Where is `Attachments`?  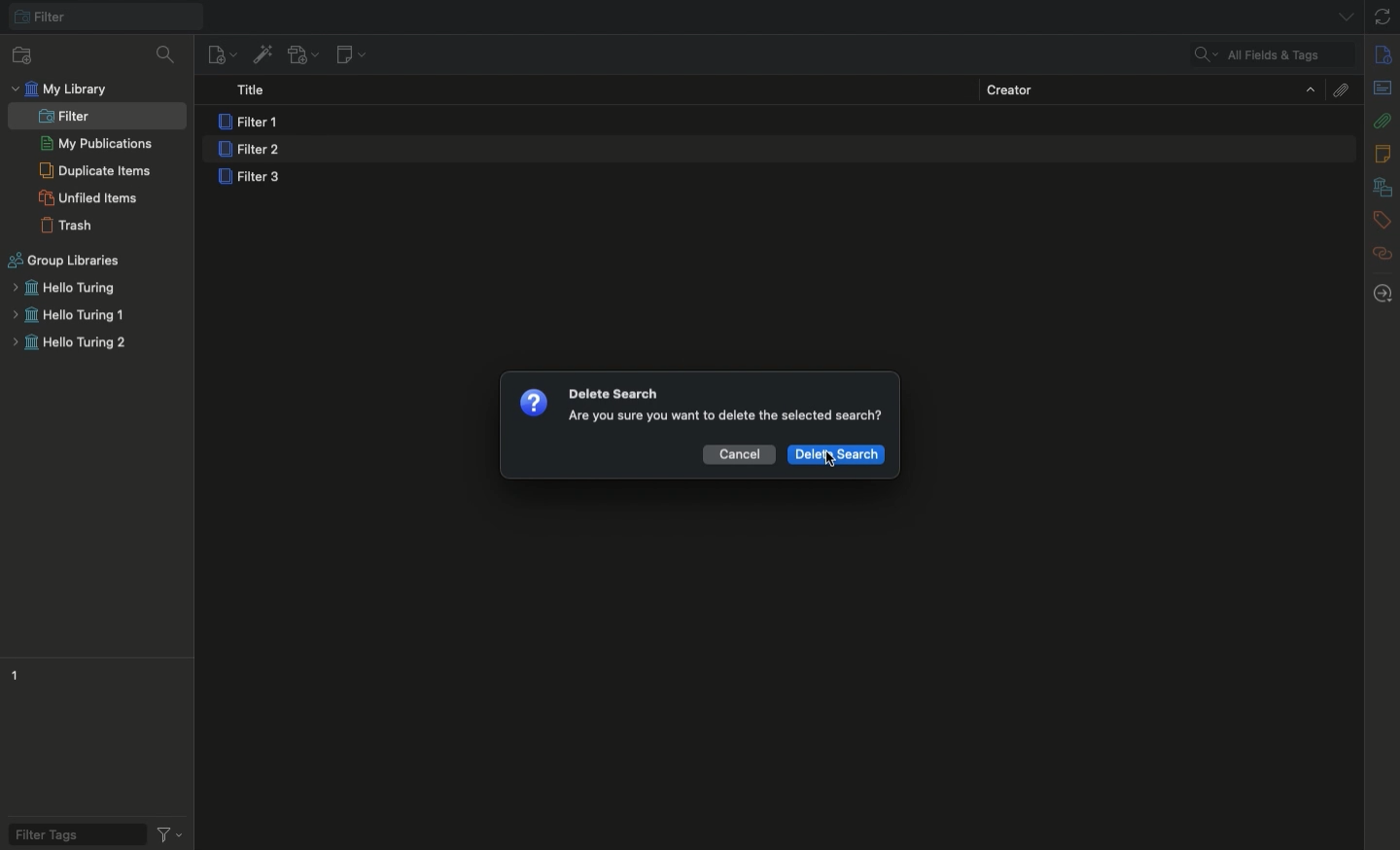
Attachments is located at coordinates (1382, 120).